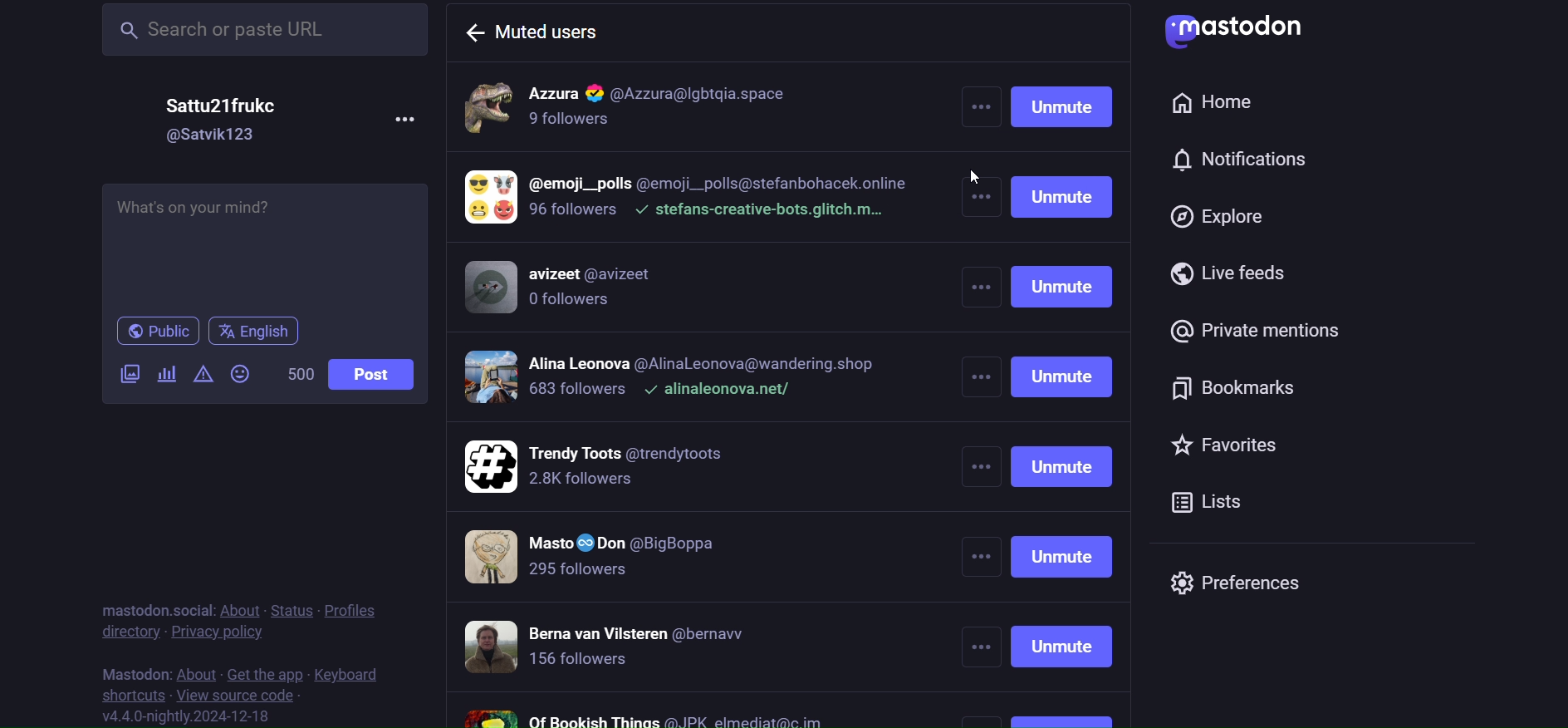  Describe the element at coordinates (674, 380) in the screenshot. I see `muted accounts 4` at that location.